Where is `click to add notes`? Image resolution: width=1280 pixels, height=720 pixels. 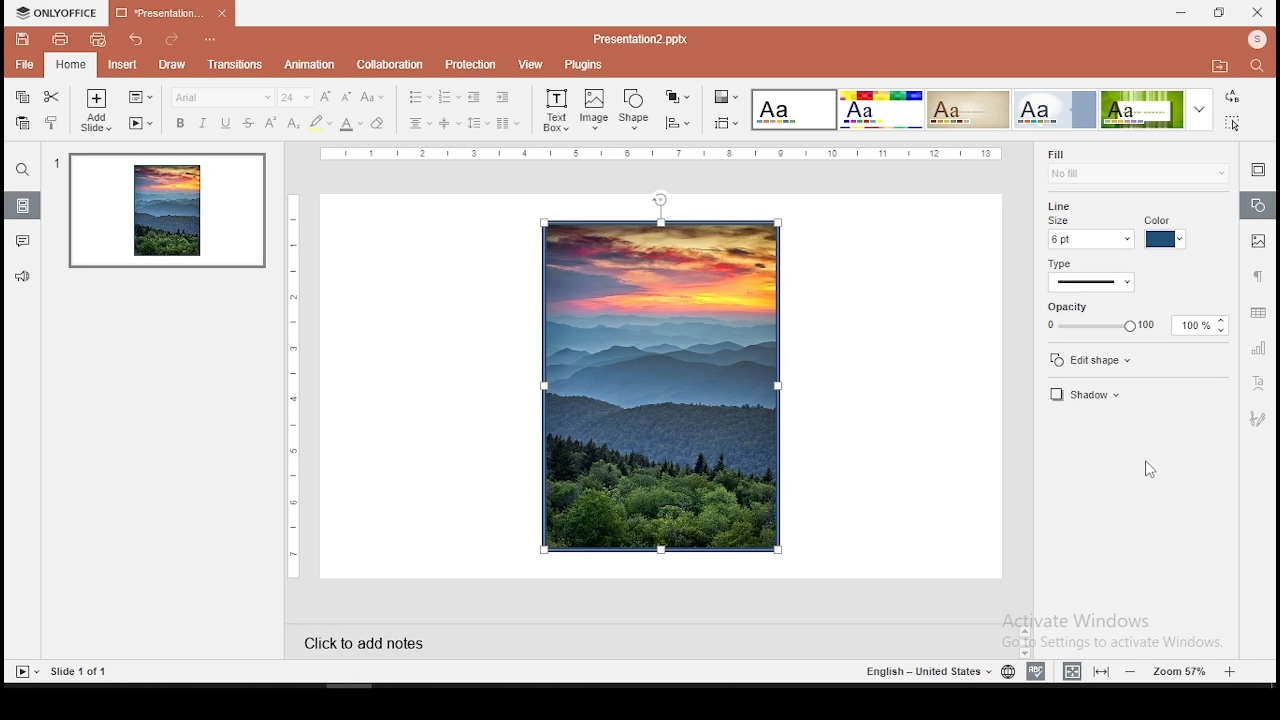 click to add notes is located at coordinates (371, 643).